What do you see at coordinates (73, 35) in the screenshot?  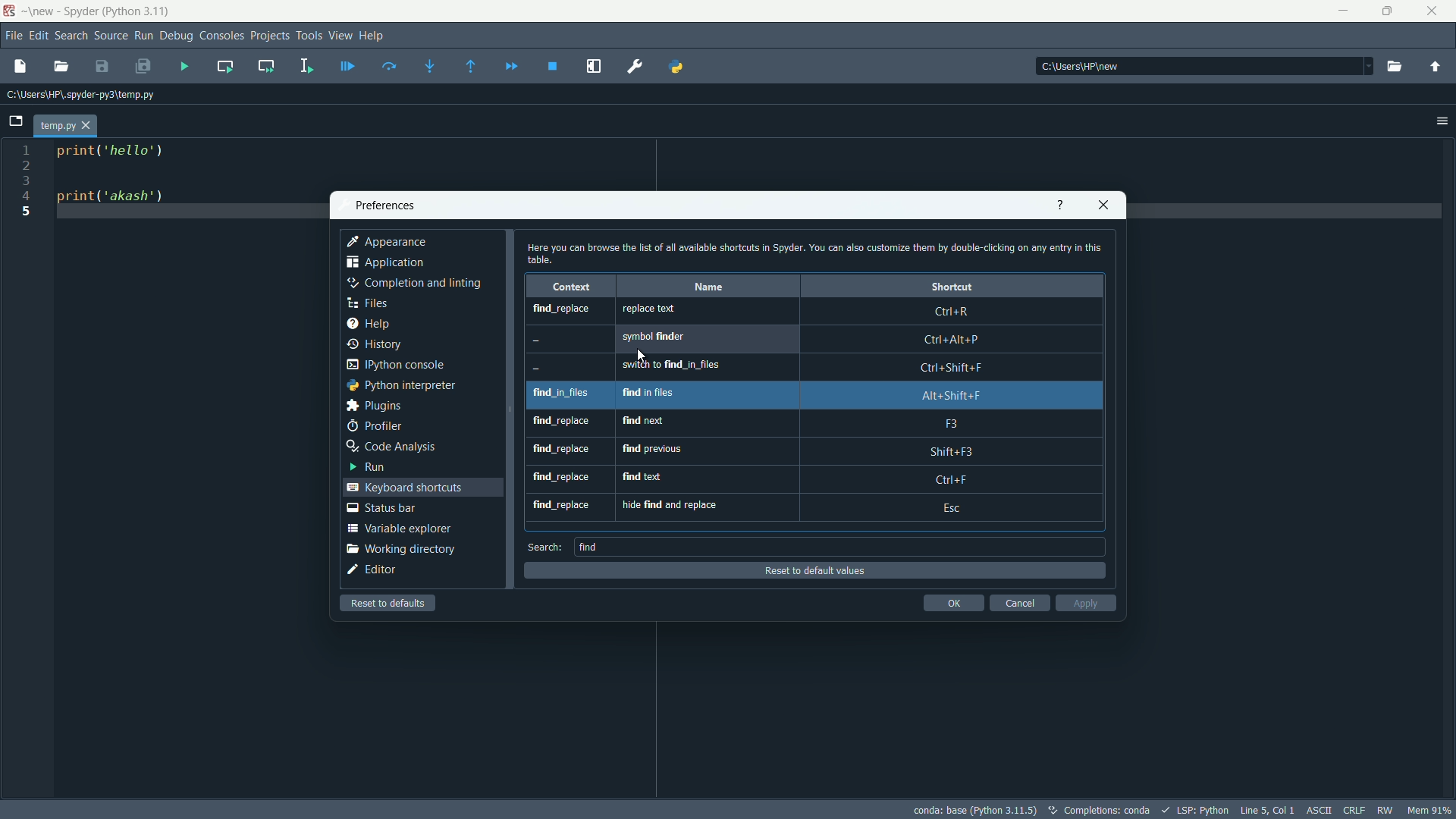 I see `search menu` at bounding box center [73, 35].